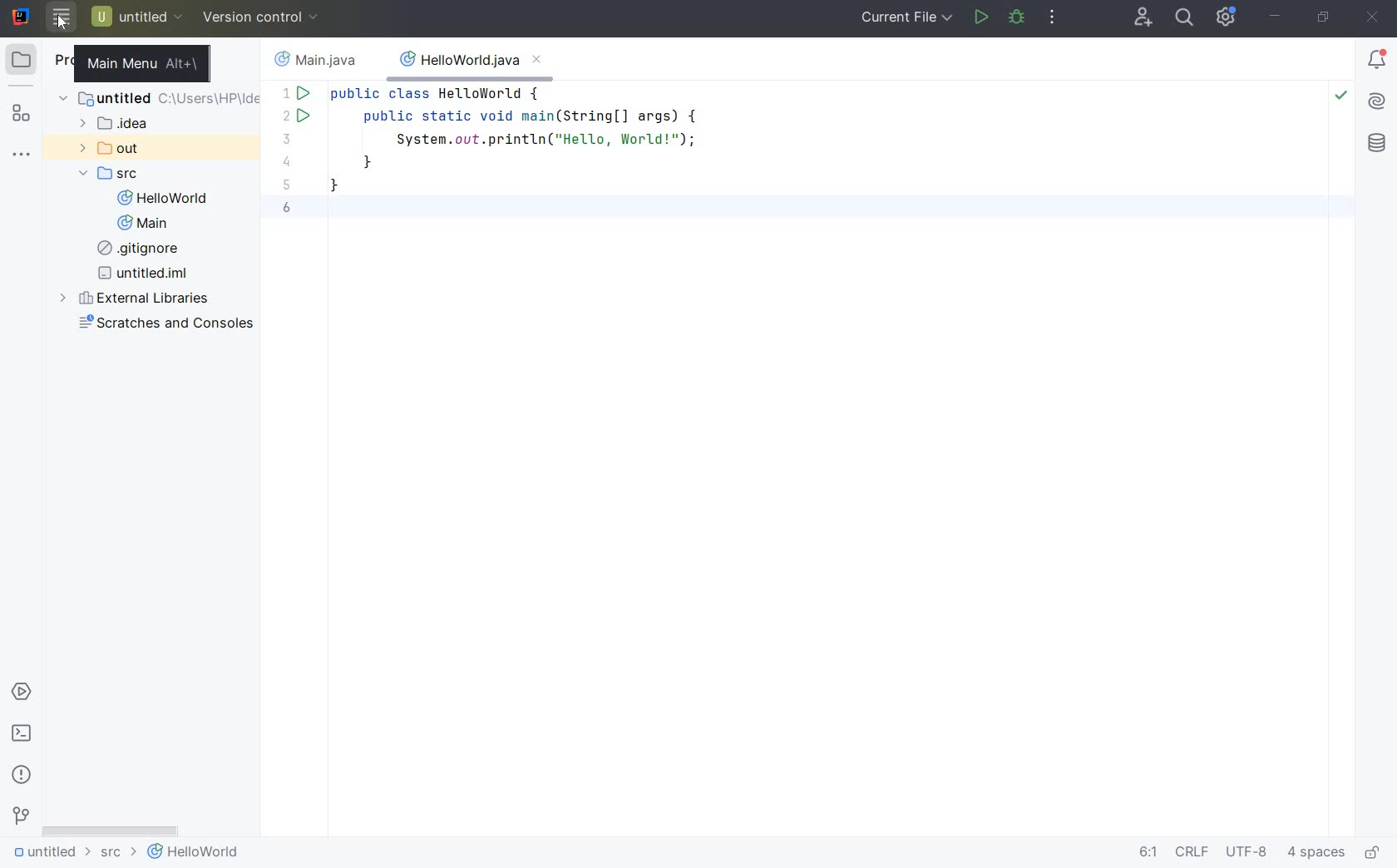  What do you see at coordinates (144, 274) in the screenshot?
I see `untitled` at bounding box center [144, 274].